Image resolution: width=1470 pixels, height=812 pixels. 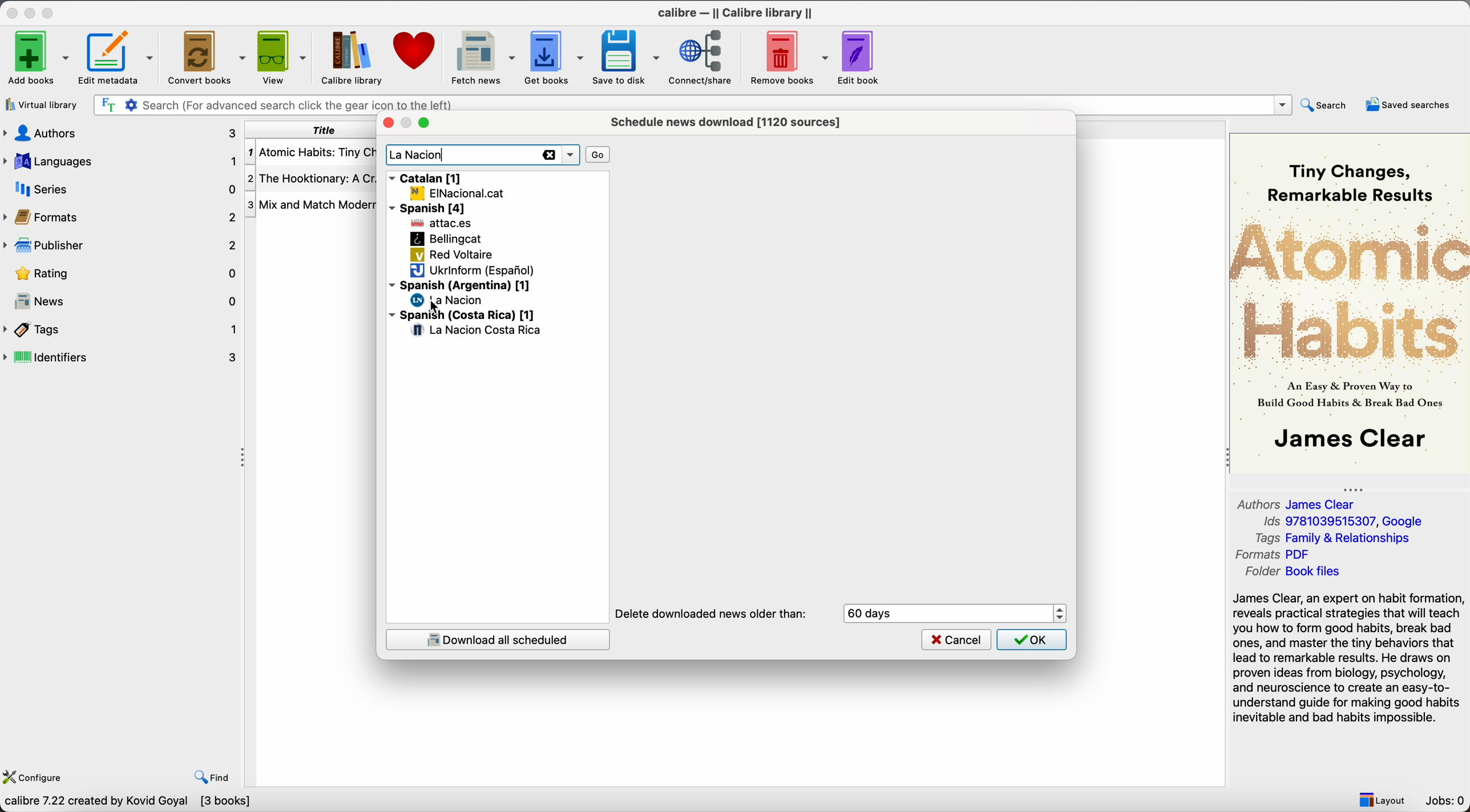 What do you see at coordinates (119, 273) in the screenshot?
I see `rating` at bounding box center [119, 273].